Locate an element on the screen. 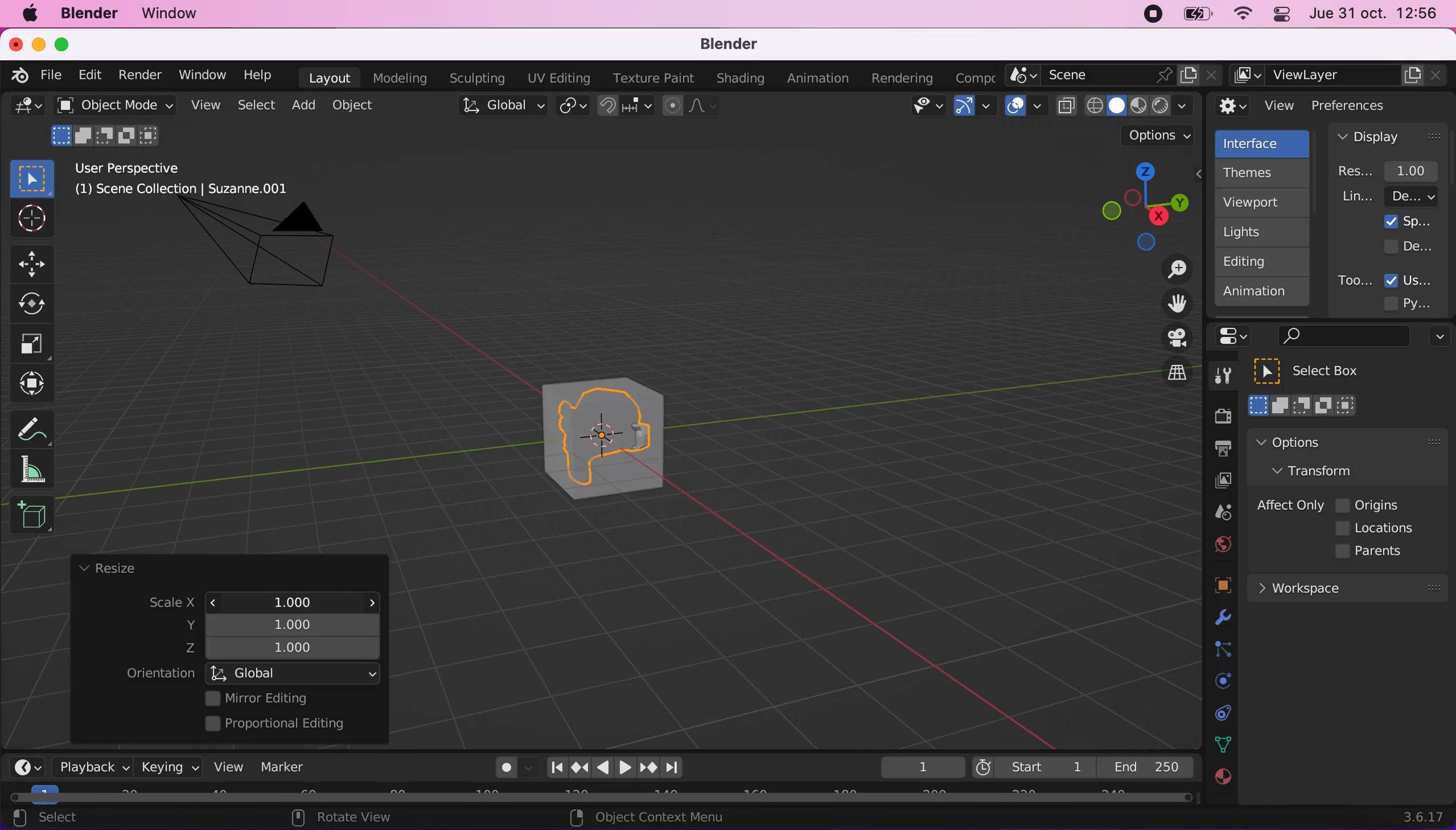 This screenshot has height=830, width=1456. select is located at coordinates (255, 106).